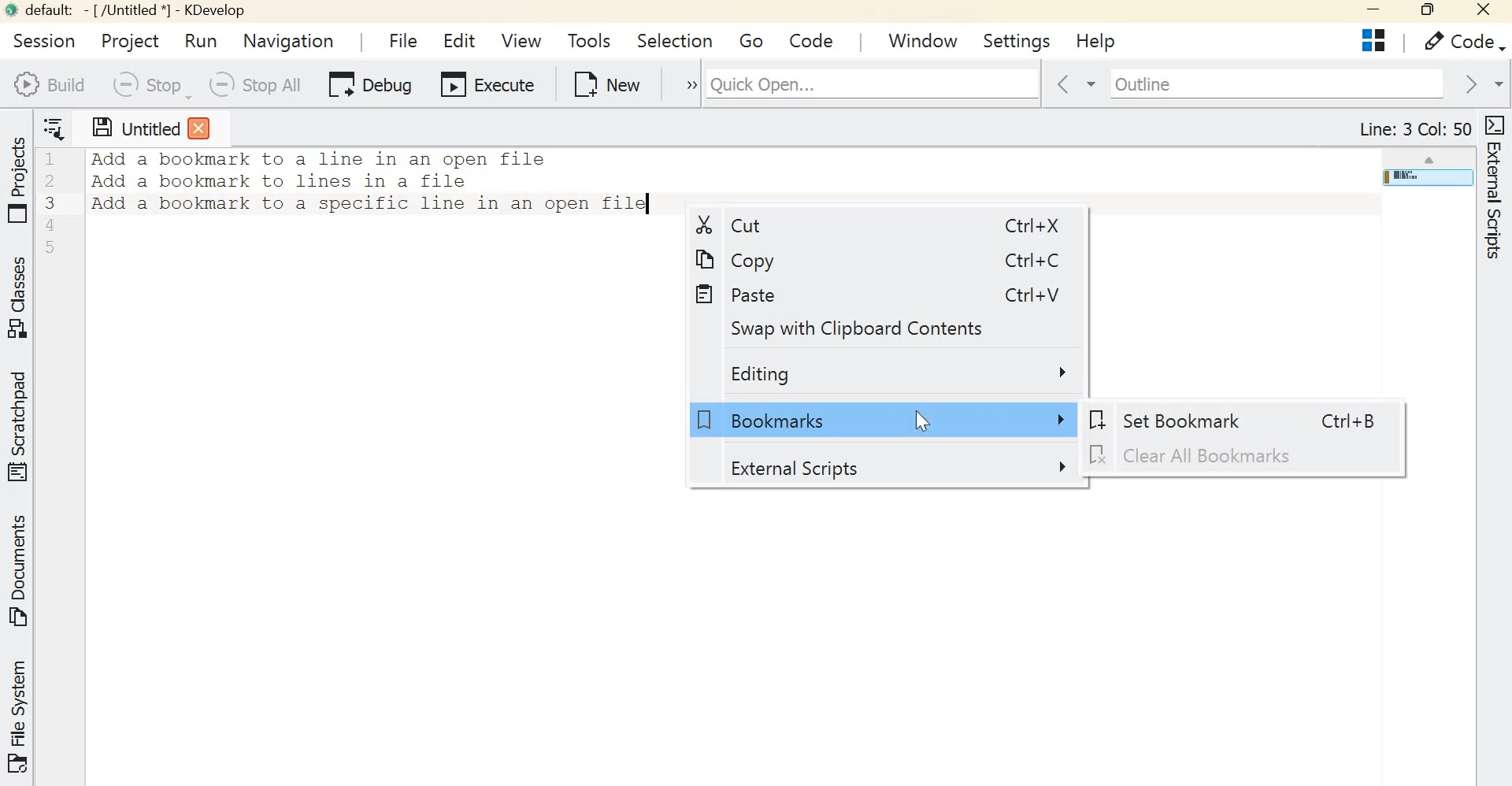  Describe the element at coordinates (881, 419) in the screenshot. I see `Bookmarks` at that location.